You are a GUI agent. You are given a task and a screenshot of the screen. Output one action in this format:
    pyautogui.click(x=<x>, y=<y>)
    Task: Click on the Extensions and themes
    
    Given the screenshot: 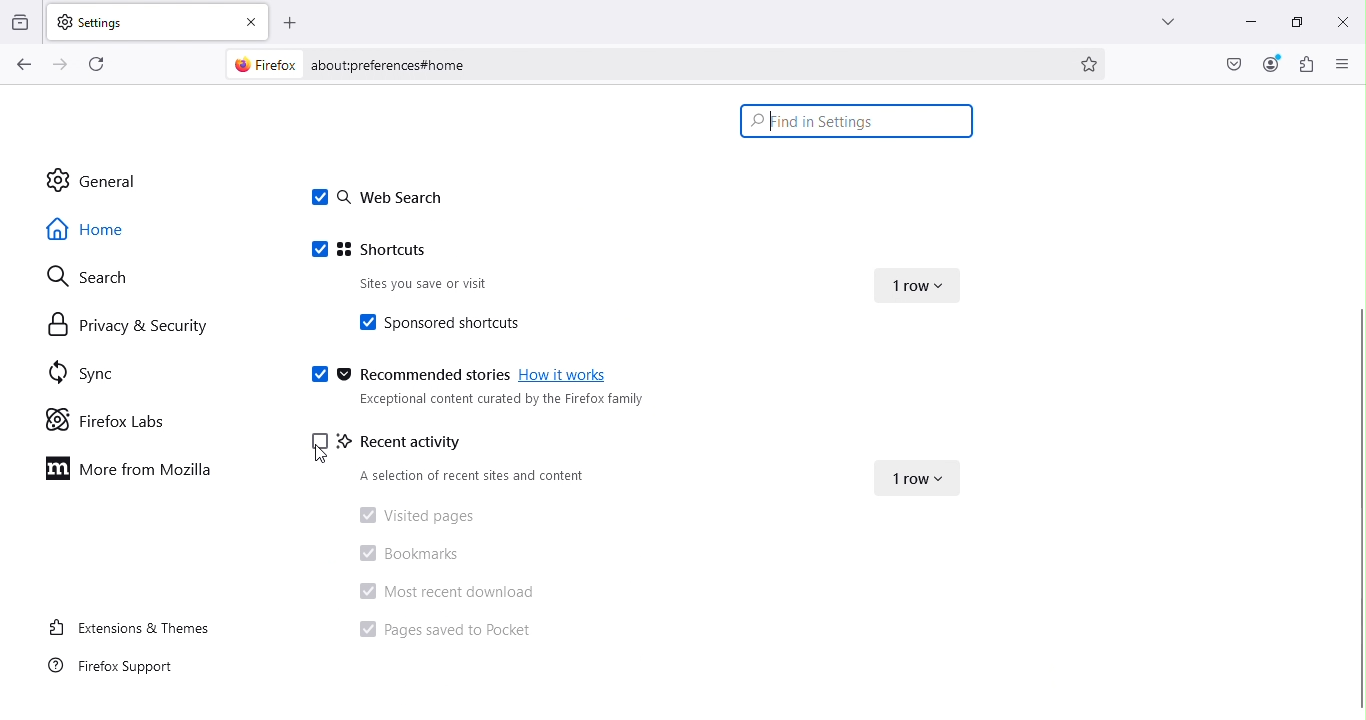 What is the action you would take?
    pyautogui.click(x=125, y=626)
    